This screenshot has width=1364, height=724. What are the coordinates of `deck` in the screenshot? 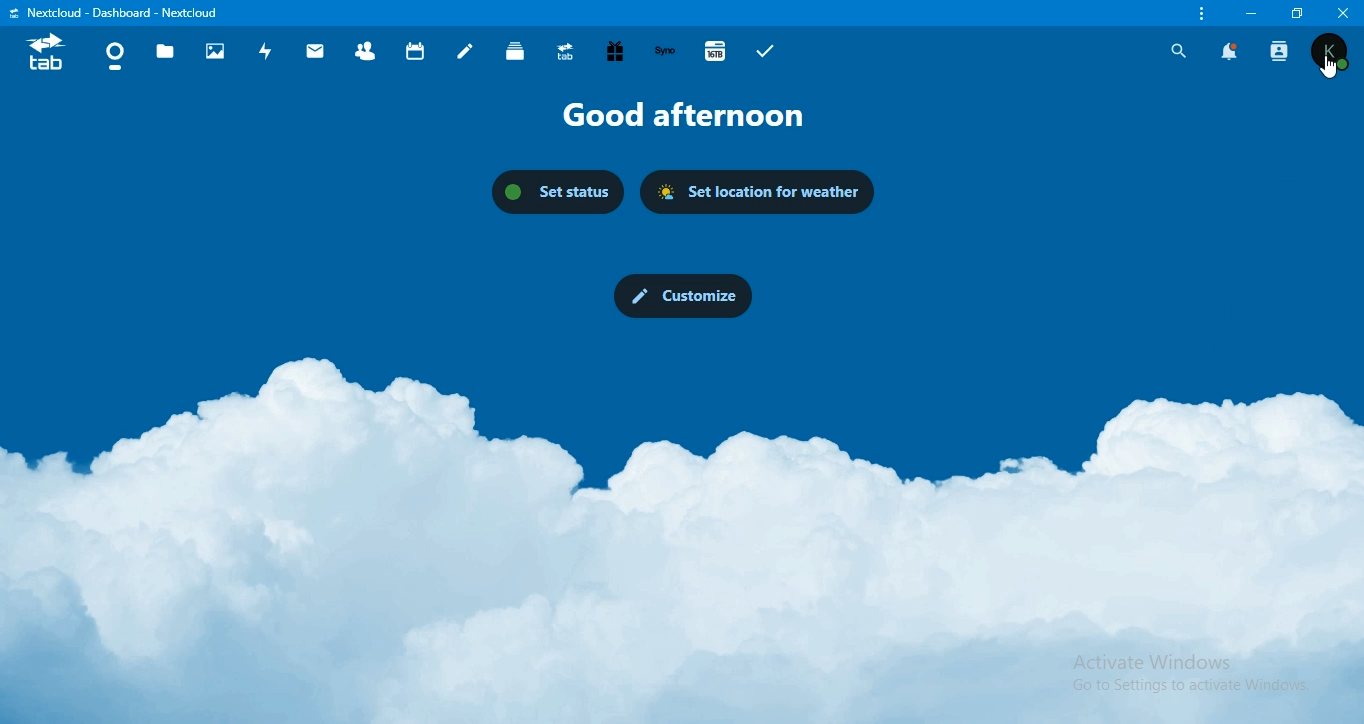 It's located at (517, 51).